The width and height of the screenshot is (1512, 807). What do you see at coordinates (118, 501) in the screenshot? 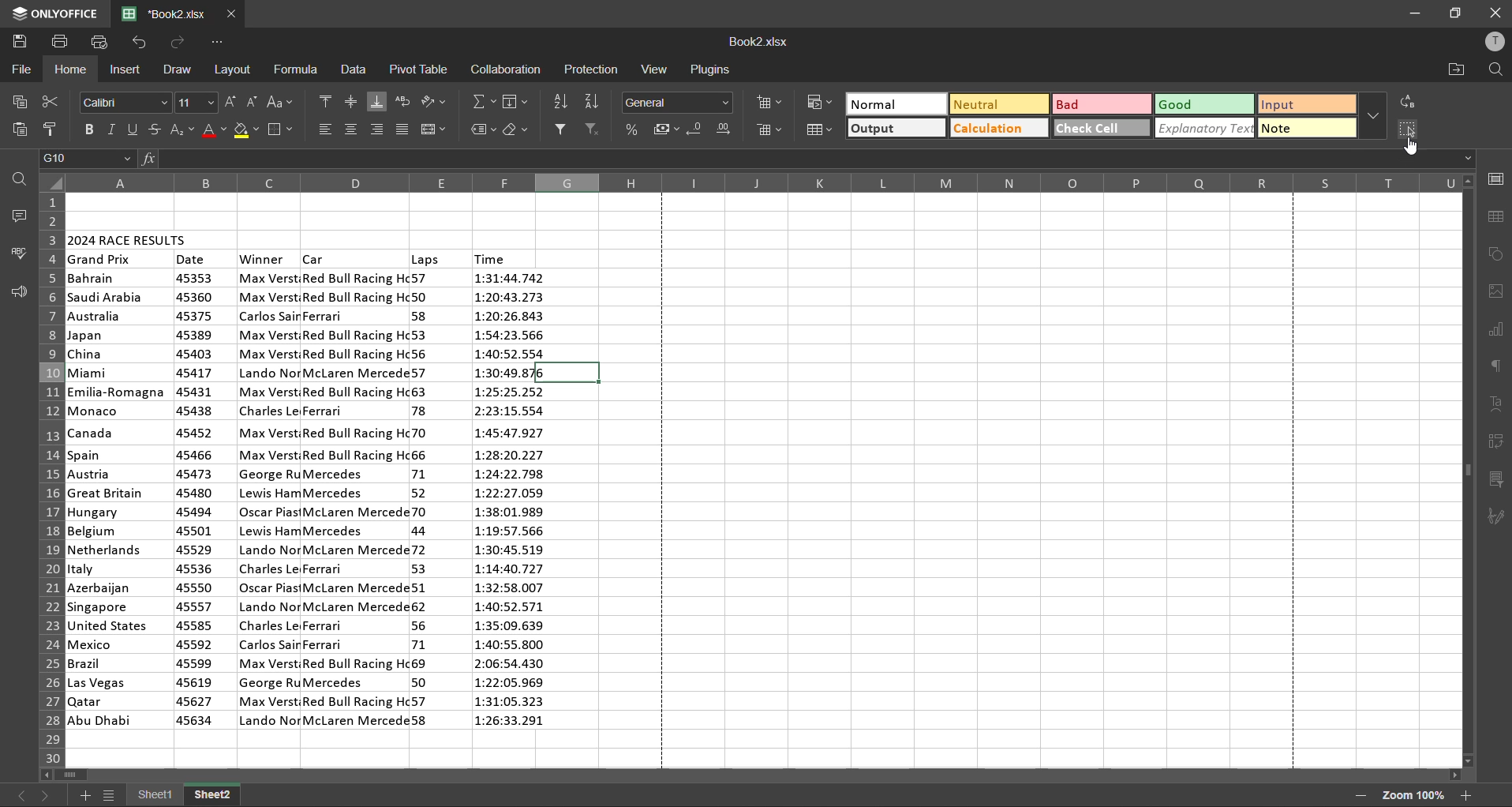
I see `Countries ` at bounding box center [118, 501].